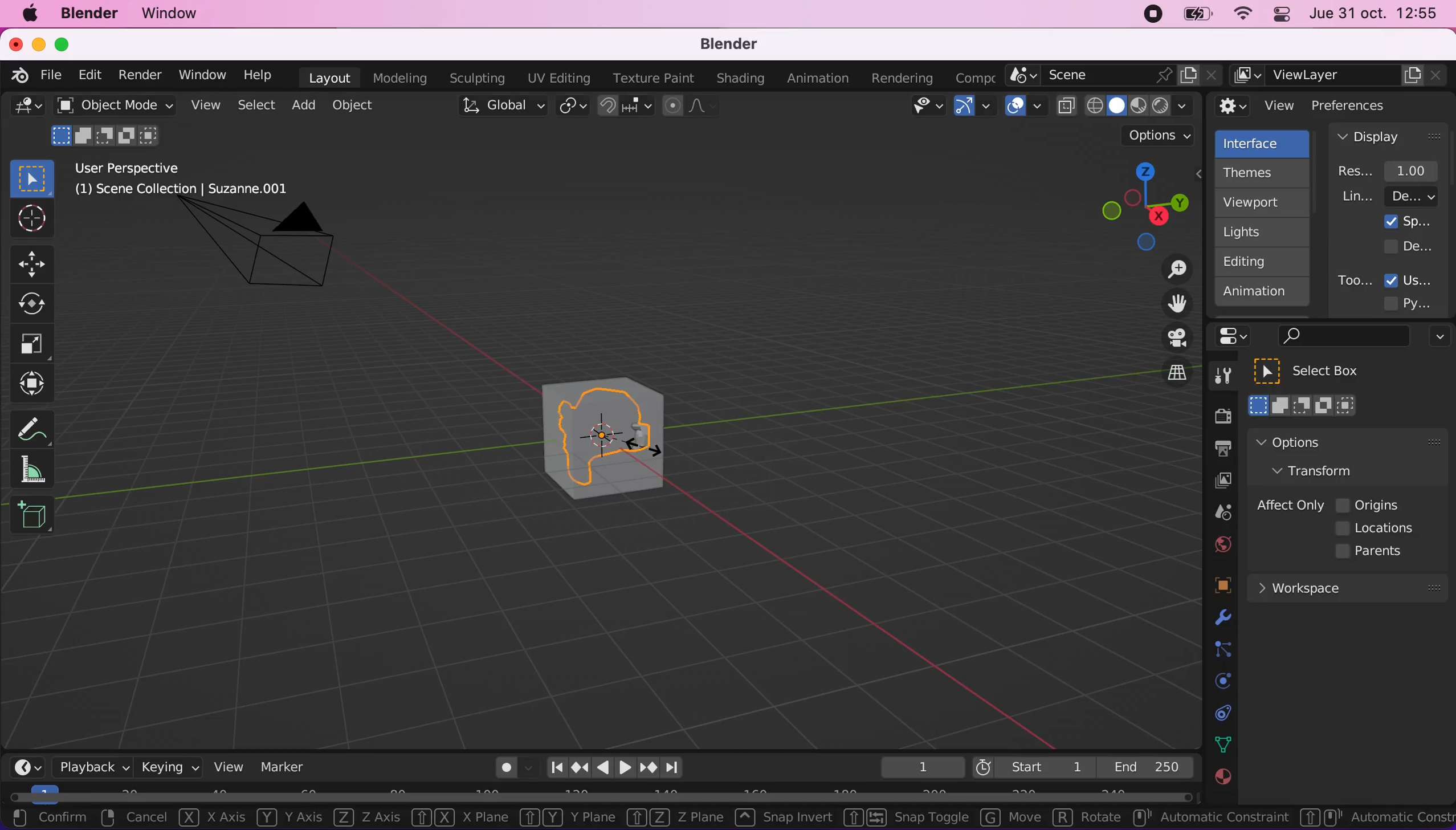  Describe the element at coordinates (329, 78) in the screenshot. I see `layout` at that location.